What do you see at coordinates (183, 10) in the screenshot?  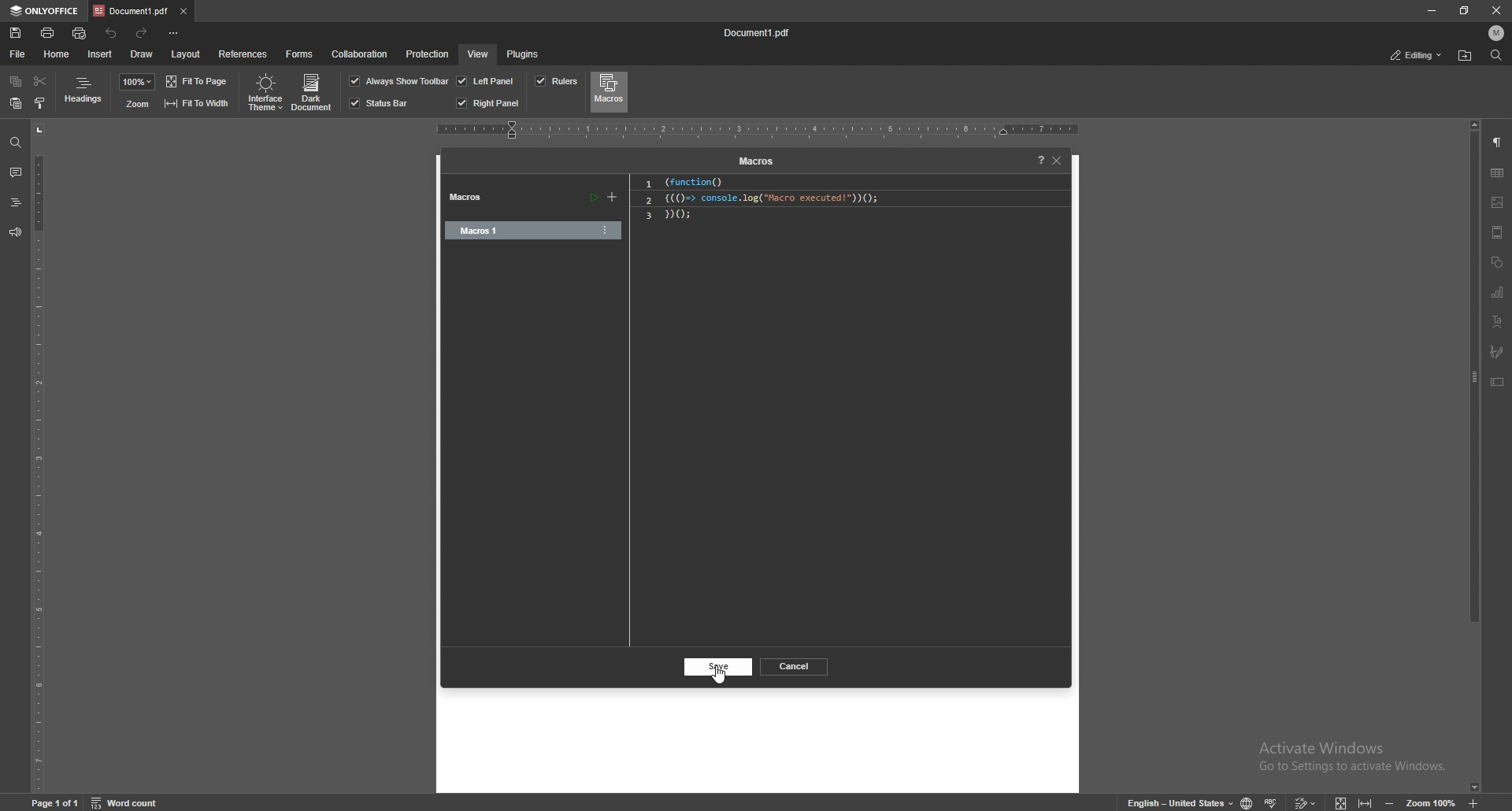 I see `close tab` at bounding box center [183, 10].